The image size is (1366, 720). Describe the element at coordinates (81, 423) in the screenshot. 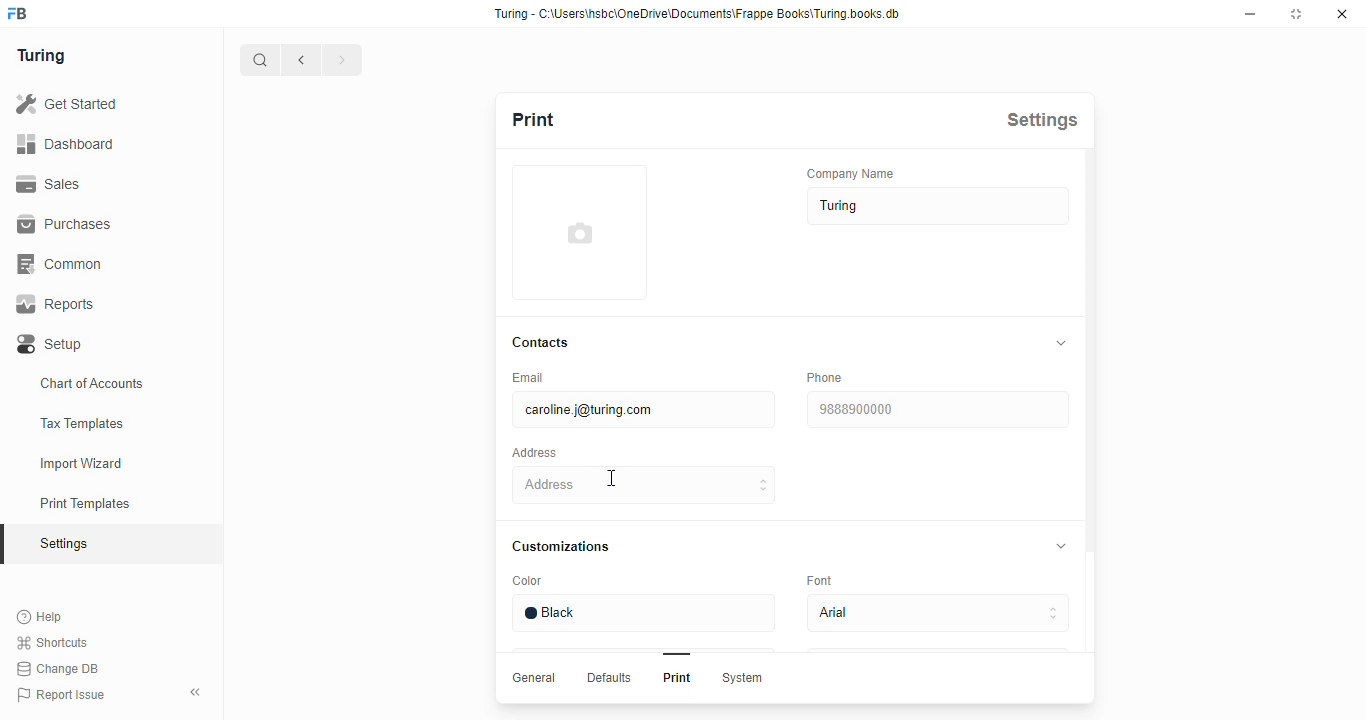

I see `tax templates` at that location.